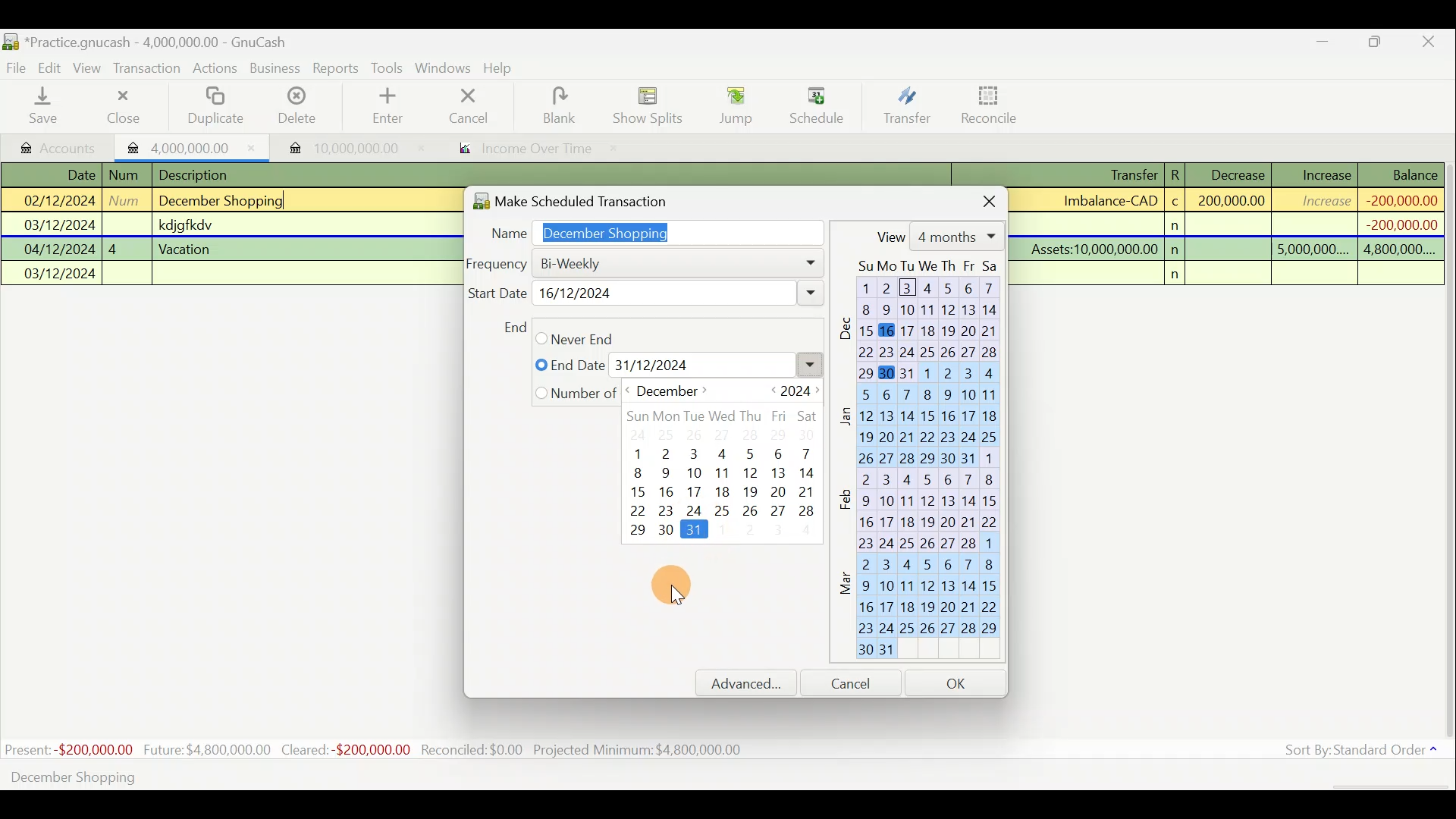  Describe the element at coordinates (580, 337) in the screenshot. I see `Monthly` at that location.